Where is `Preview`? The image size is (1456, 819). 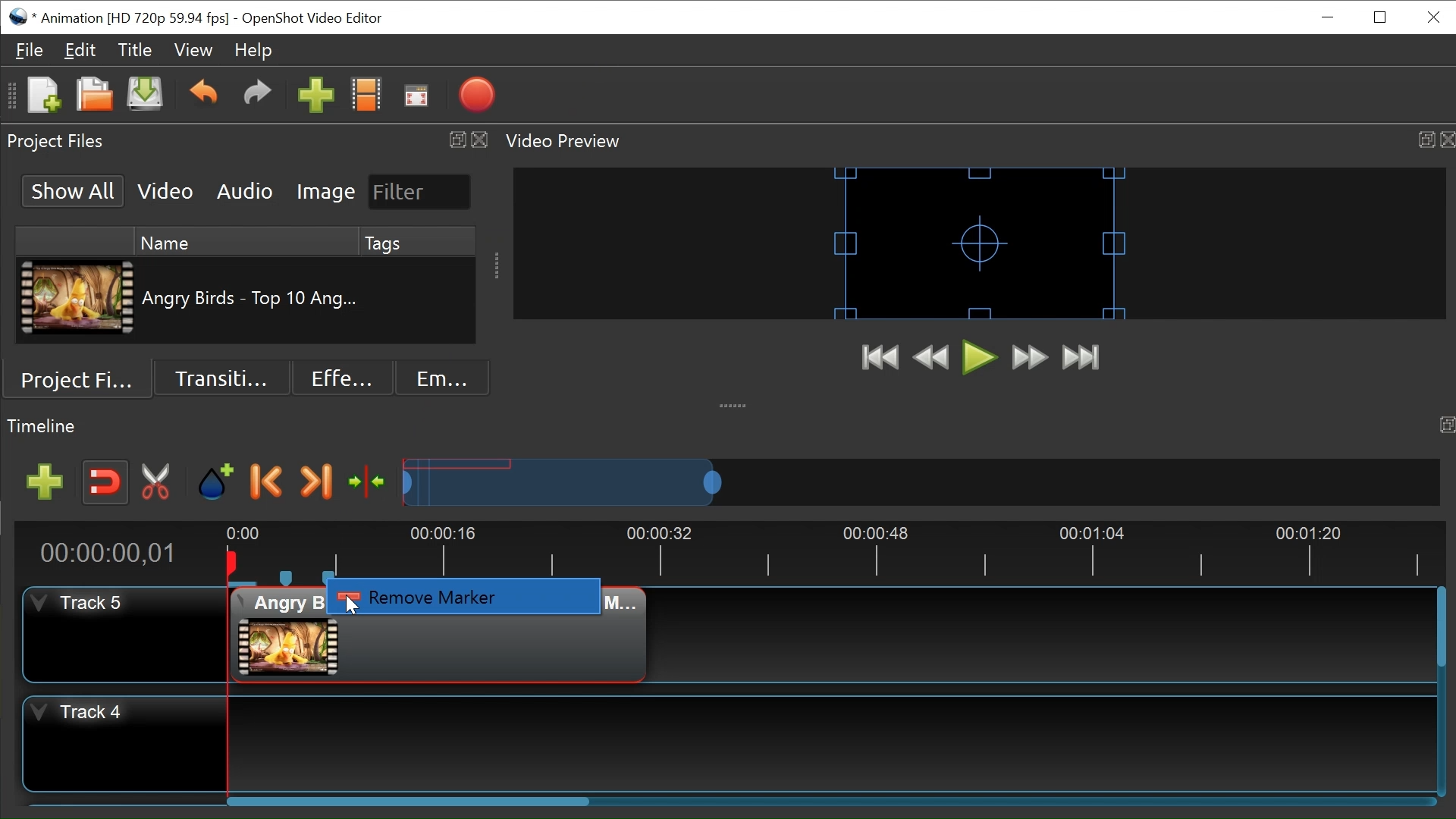
Preview is located at coordinates (931, 359).